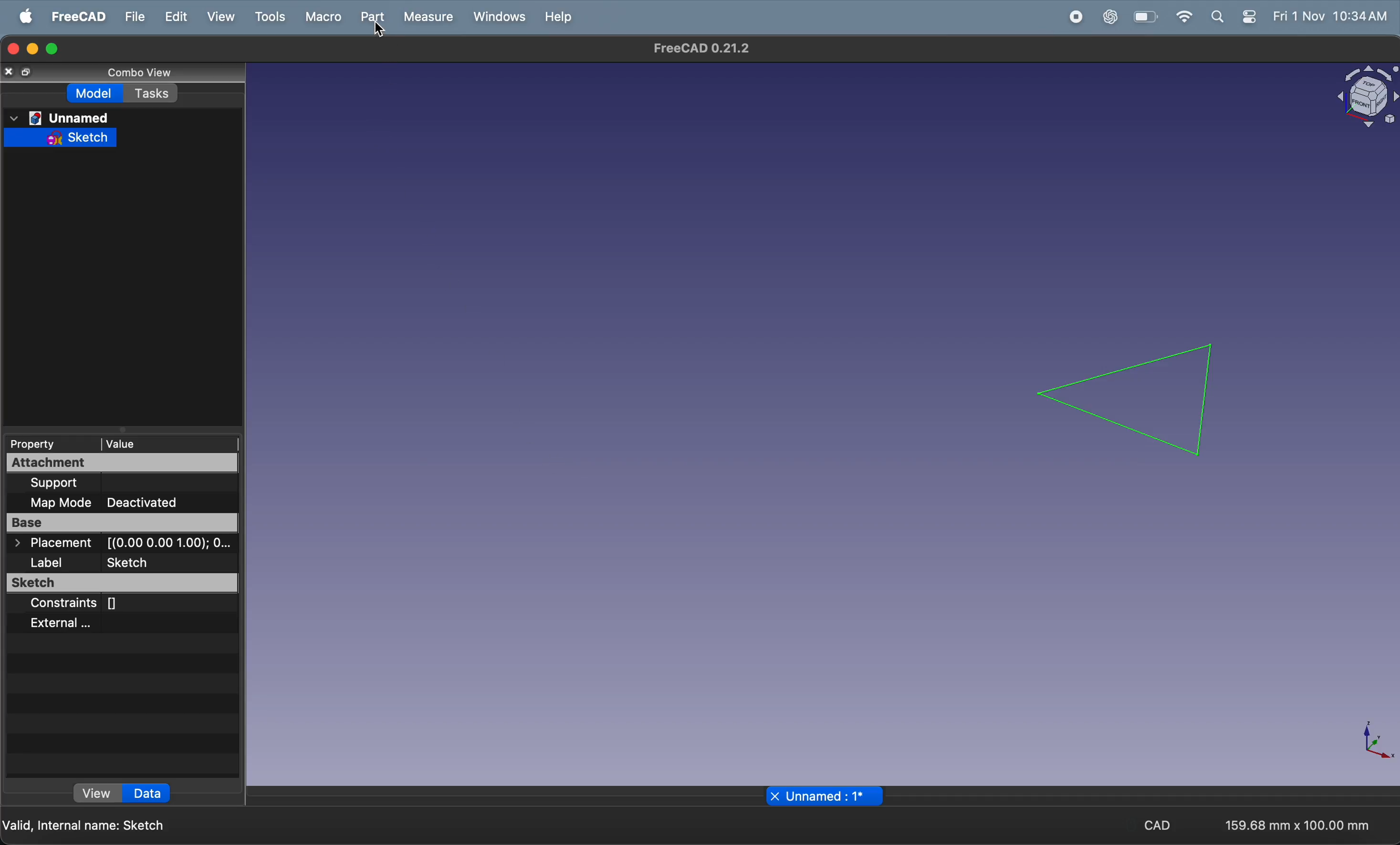  What do you see at coordinates (1077, 16) in the screenshot?
I see `record` at bounding box center [1077, 16].